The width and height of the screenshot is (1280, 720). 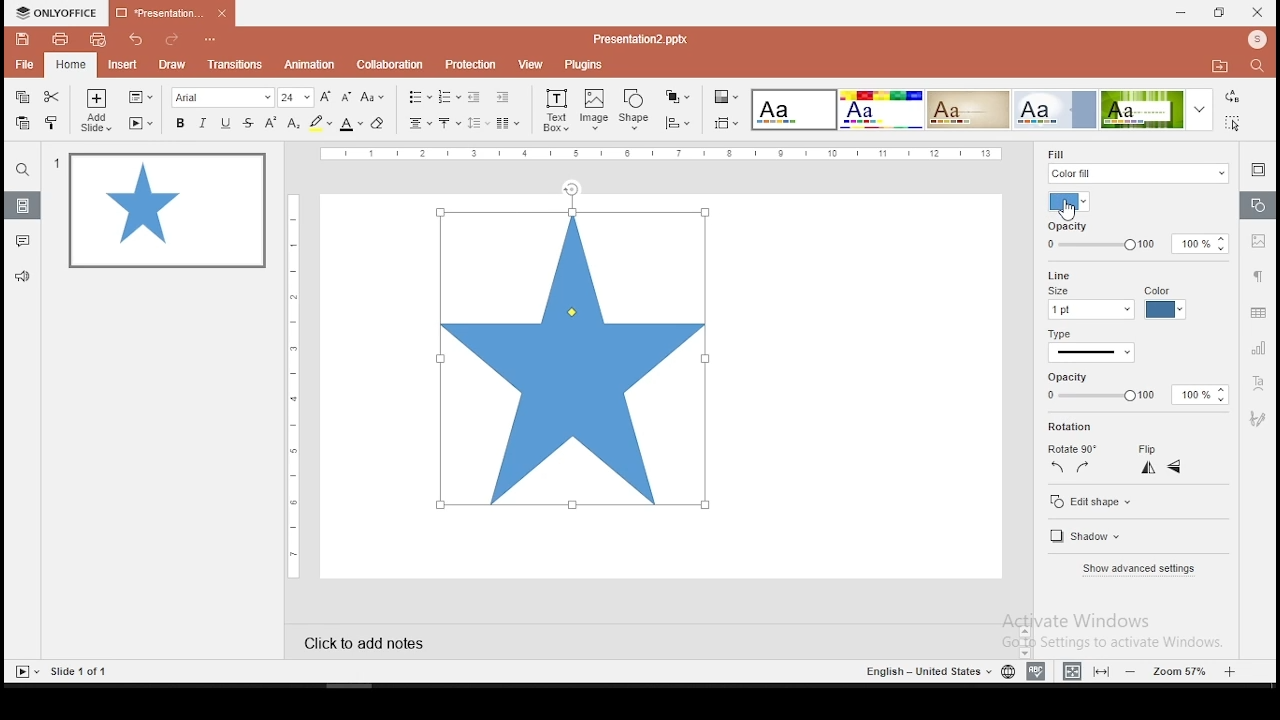 I want to click on highlight color, so click(x=320, y=124).